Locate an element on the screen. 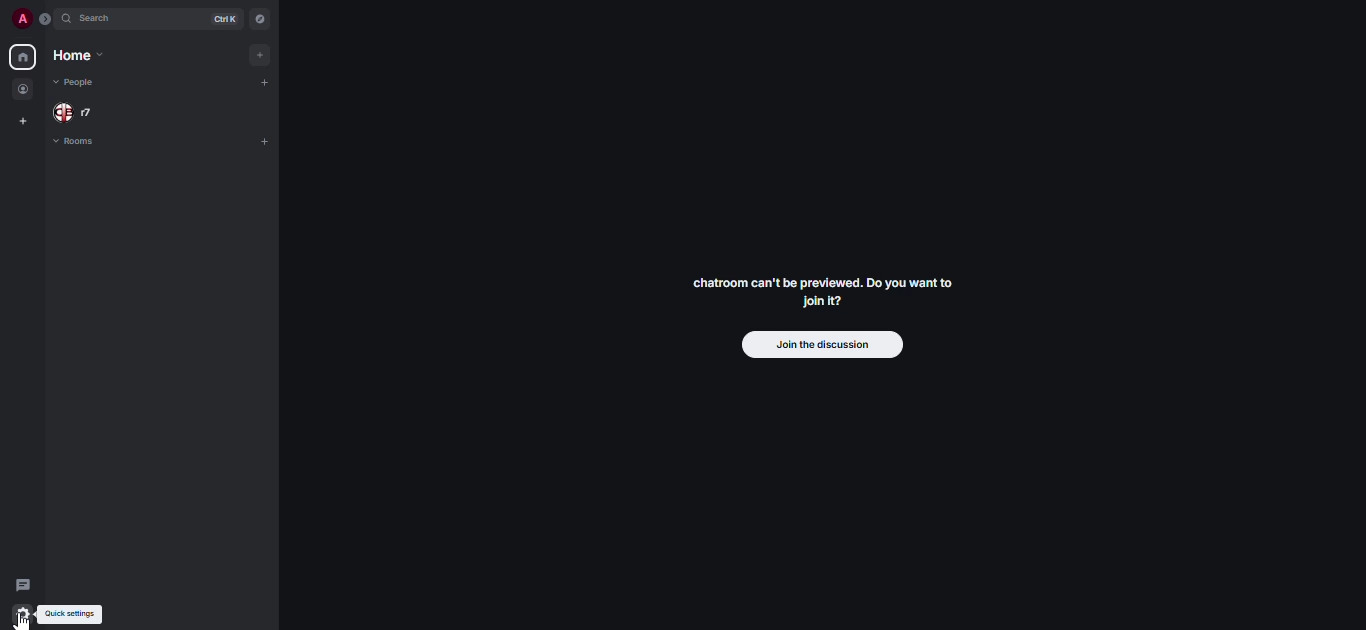 This screenshot has width=1366, height=630. people is located at coordinates (24, 90).